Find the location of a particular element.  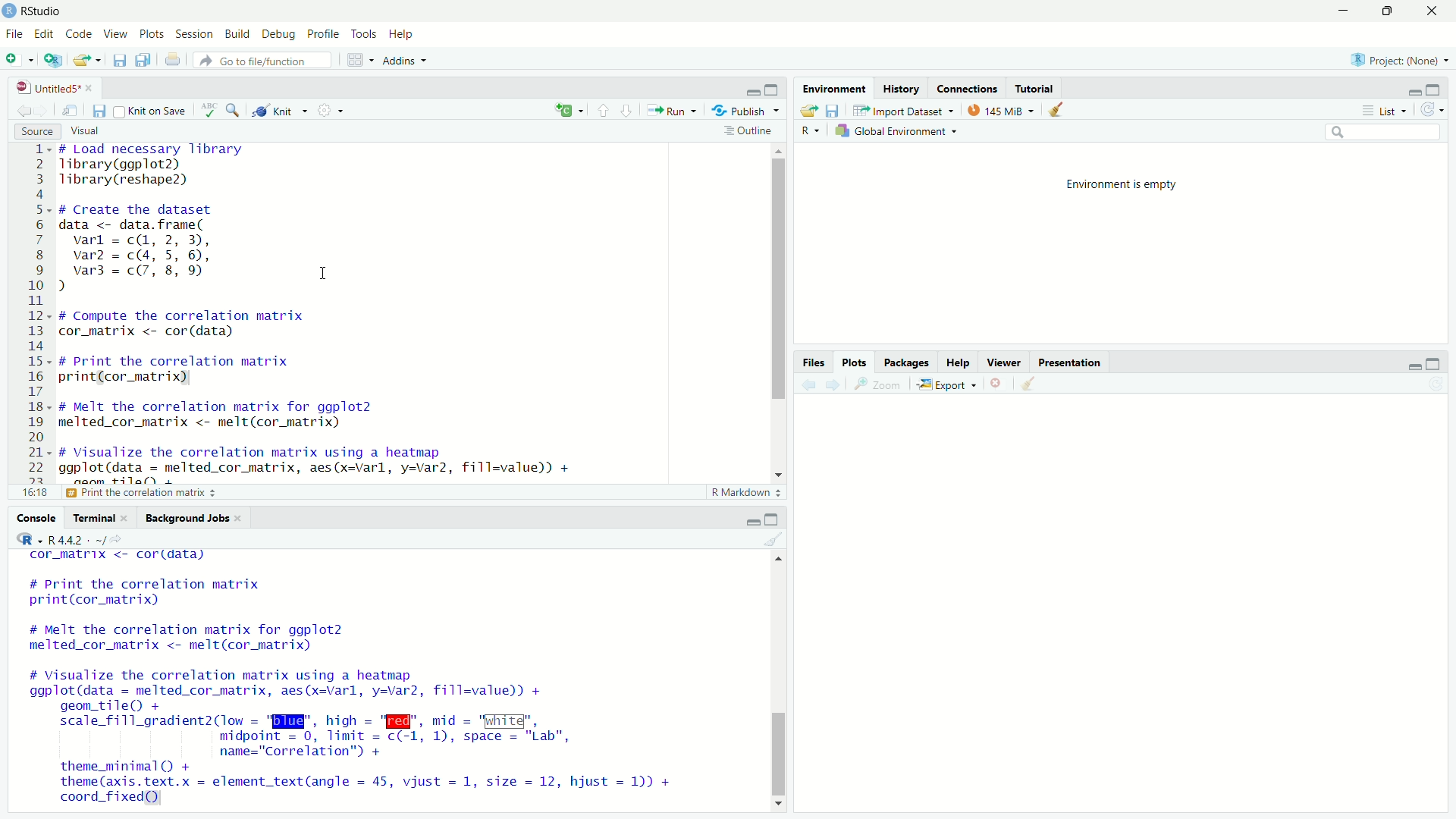

cor_matrix <- cordidata)
# Print the correlation matrix
print(cor_matrix)
# Melt the correlation matrix for ggplot2
melted_cor_matrix <- melt(cor_matrix)
# Visualize the correlation matrix using a heatmap
ggplot(data = melted_cor_matrix, aes(x=varl, y=var2, fill=value)) +
geom_tile() +
scale_fill_gradient2(low = "BI", hich = "W@", mid = "White",
midpoint = 0, limit = c(-1, 1), space = "Lab",
name="Correlation") +
theme_minimal() +
theme (axis. text.x = element_text(angle = 45, vijust = 1, size = 12, hjust = 1)) +
coord_fixed) is located at coordinates (370, 679).